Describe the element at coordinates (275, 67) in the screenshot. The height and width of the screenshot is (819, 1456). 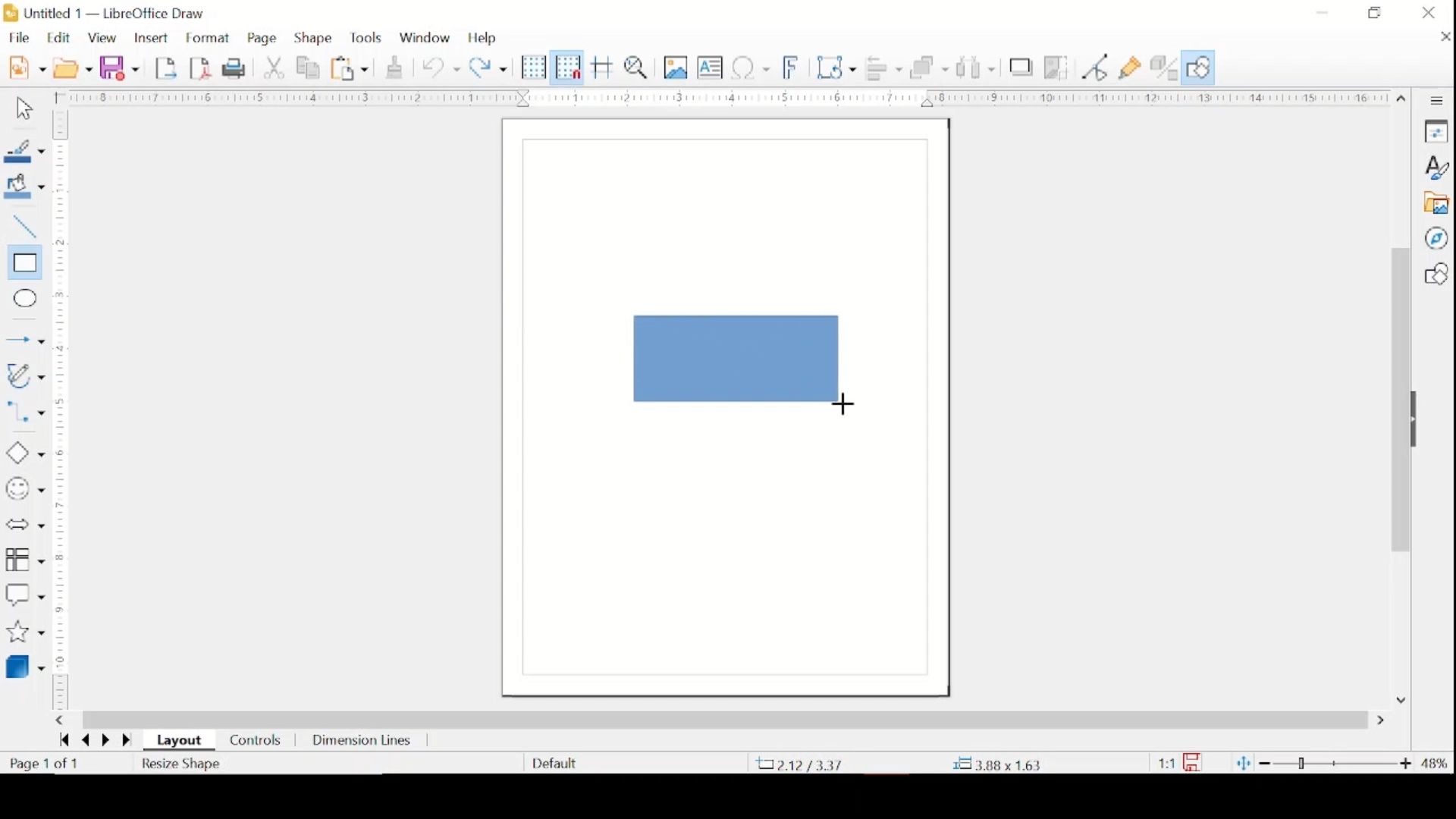
I see `cut` at that location.